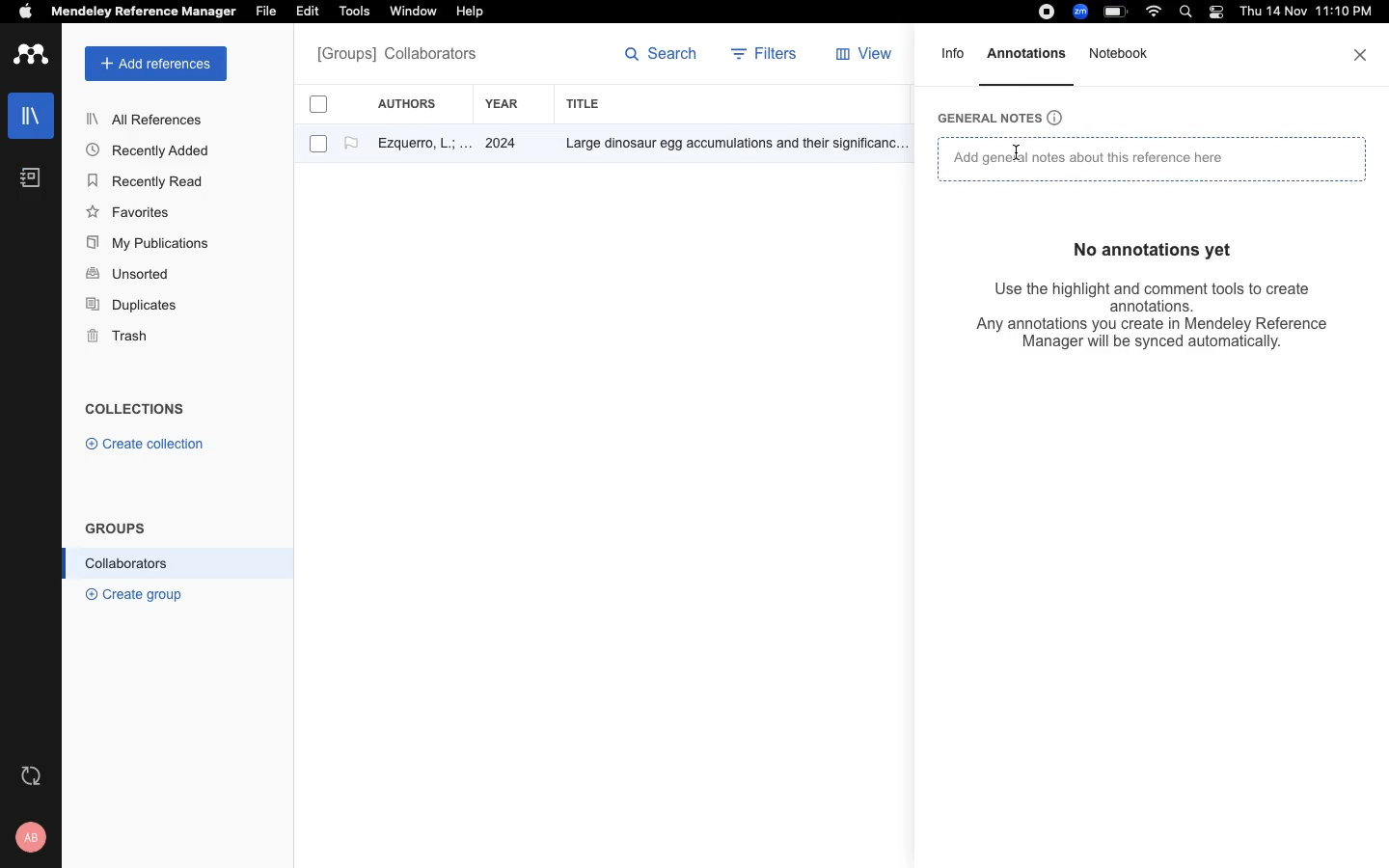 The height and width of the screenshot is (868, 1389). What do you see at coordinates (144, 13) in the screenshot?
I see `Mendeley Reference Manager` at bounding box center [144, 13].